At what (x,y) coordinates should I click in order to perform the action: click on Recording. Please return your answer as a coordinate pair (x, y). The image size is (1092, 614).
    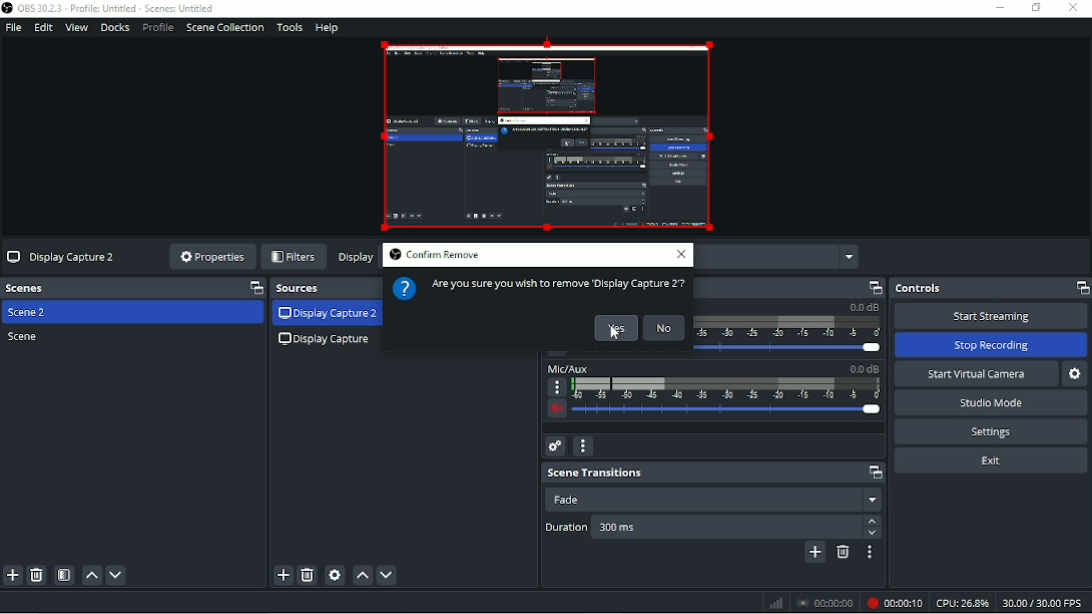
    Looking at the image, I should click on (895, 603).